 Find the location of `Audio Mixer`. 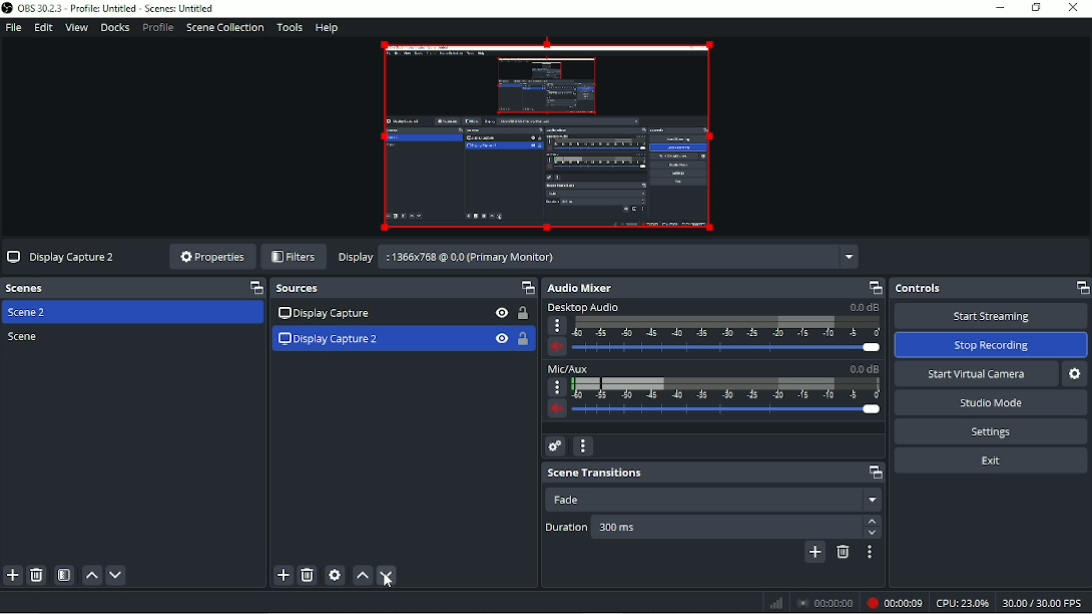

Audio Mixer is located at coordinates (713, 287).